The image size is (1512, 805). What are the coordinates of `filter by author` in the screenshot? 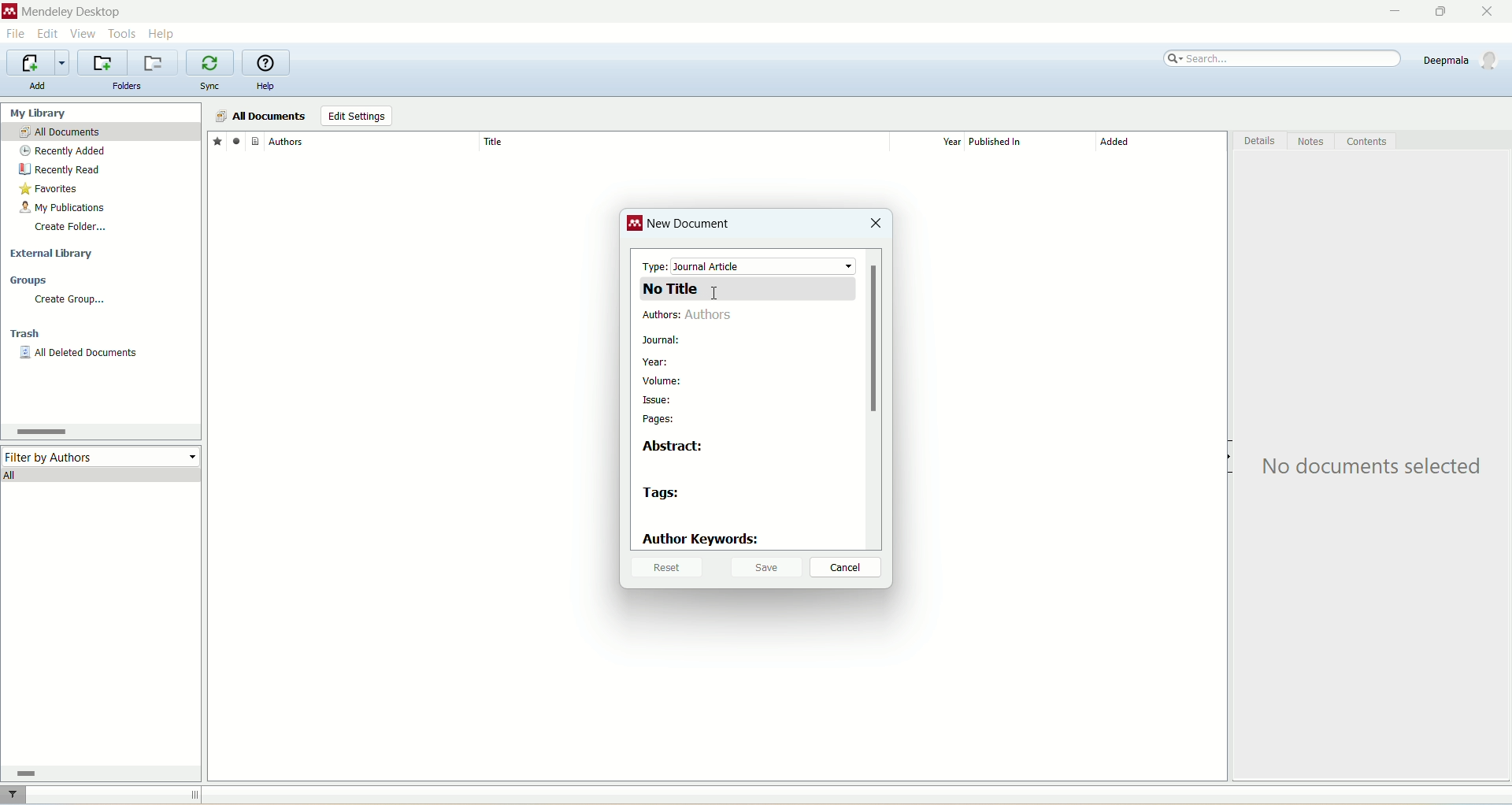 It's located at (102, 455).